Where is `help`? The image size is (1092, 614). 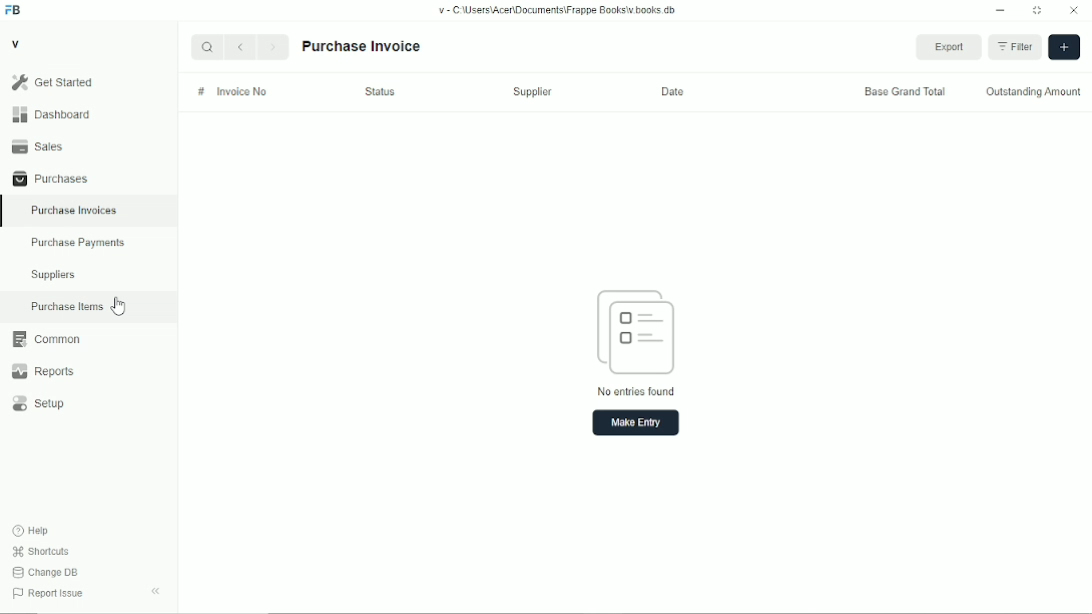
help is located at coordinates (32, 531).